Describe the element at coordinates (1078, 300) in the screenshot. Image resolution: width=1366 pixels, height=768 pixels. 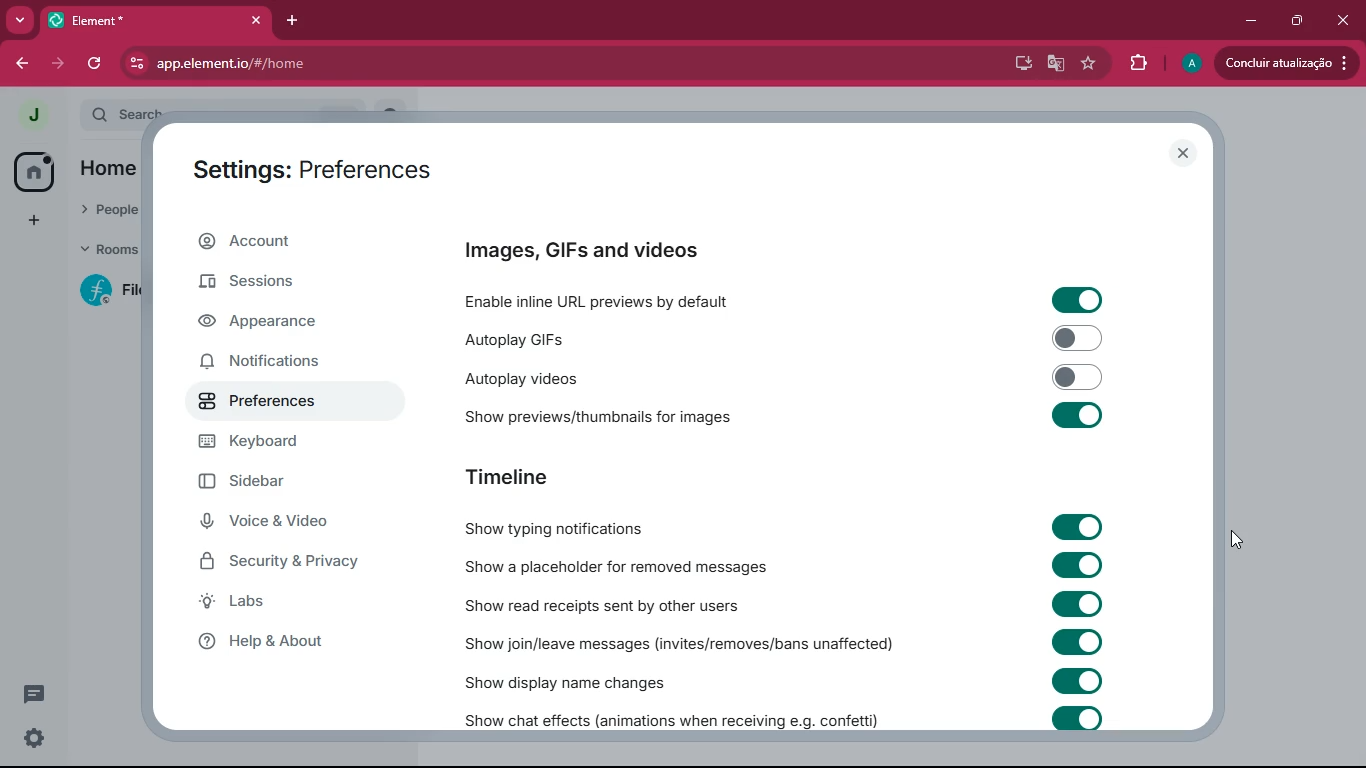
I see `toggle on/off` at that location.